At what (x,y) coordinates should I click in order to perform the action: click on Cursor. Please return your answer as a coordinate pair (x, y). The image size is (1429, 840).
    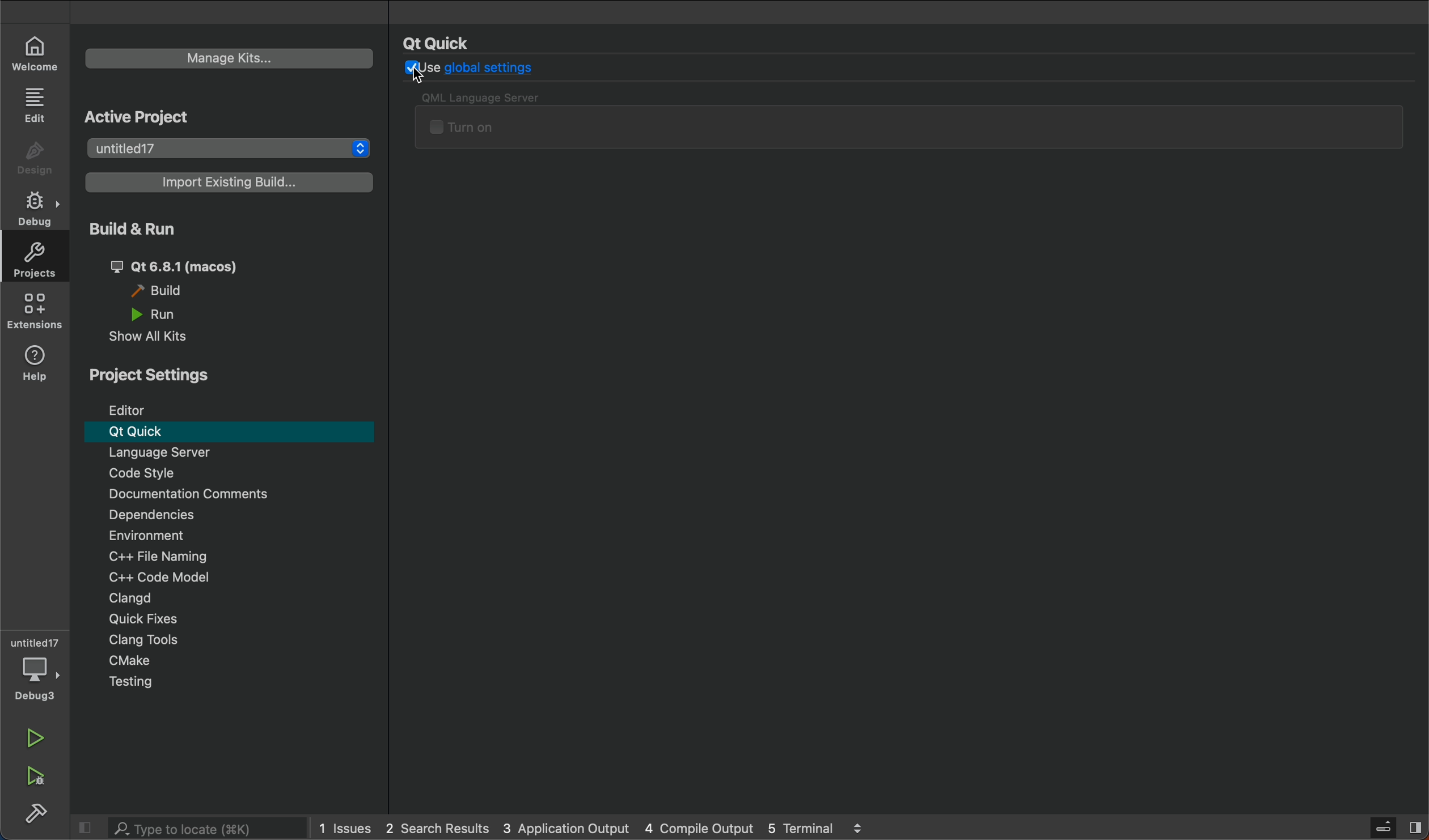
    Looking at the image, I should click on (415, 75).